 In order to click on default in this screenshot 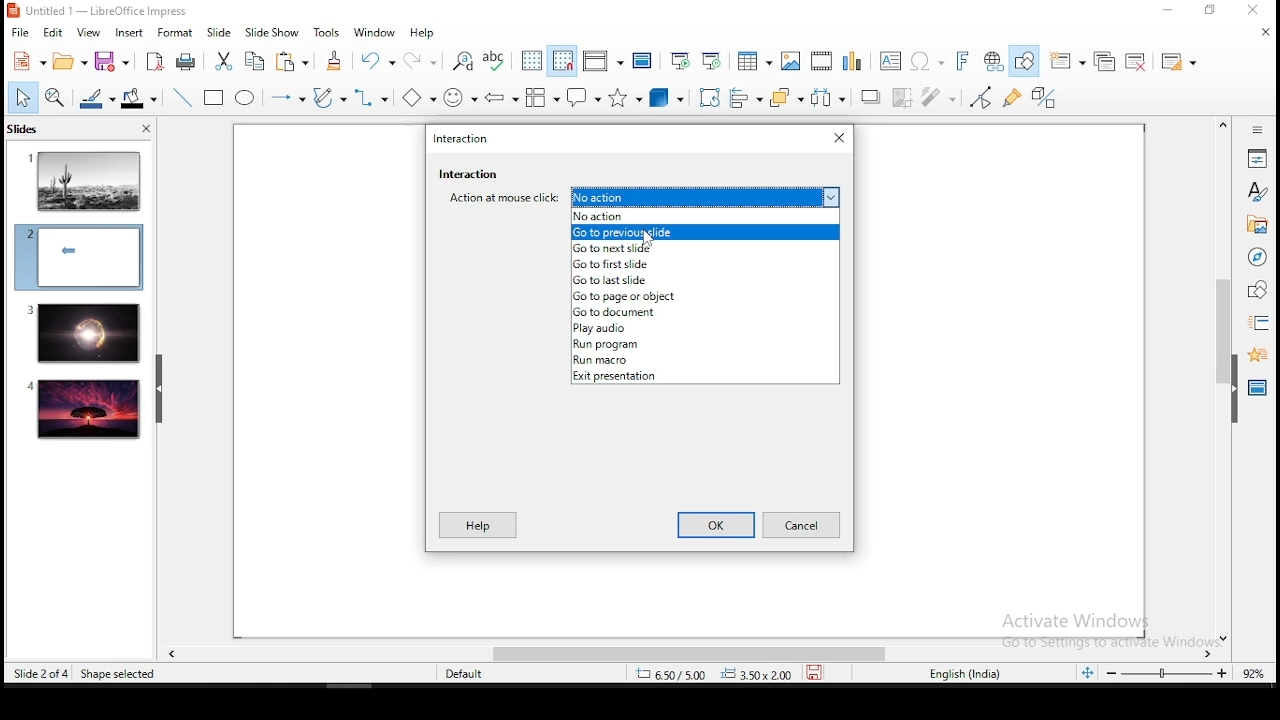, I will do `click(466, 673)`.